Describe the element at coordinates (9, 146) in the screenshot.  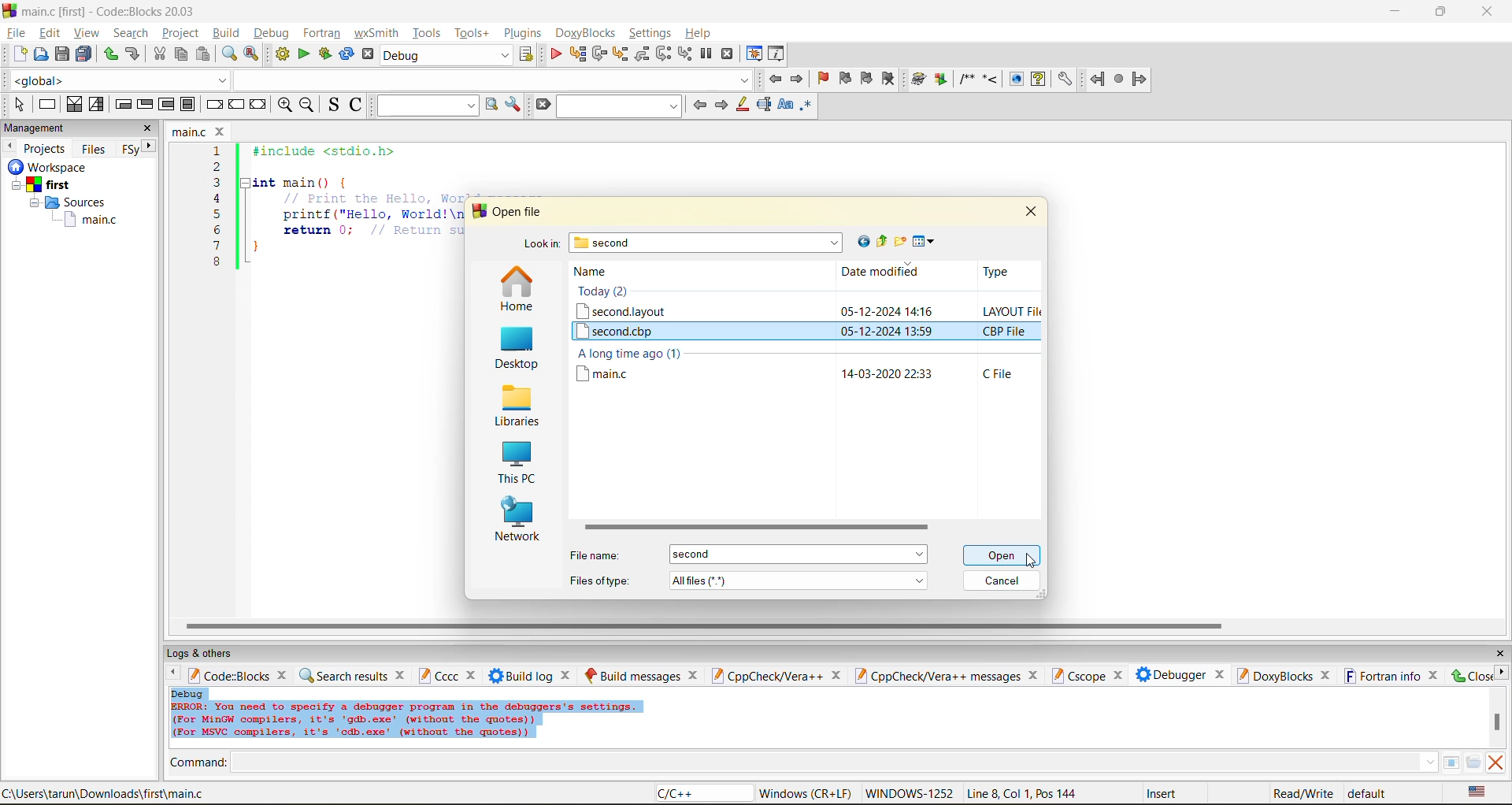
I see `previous` at that location.